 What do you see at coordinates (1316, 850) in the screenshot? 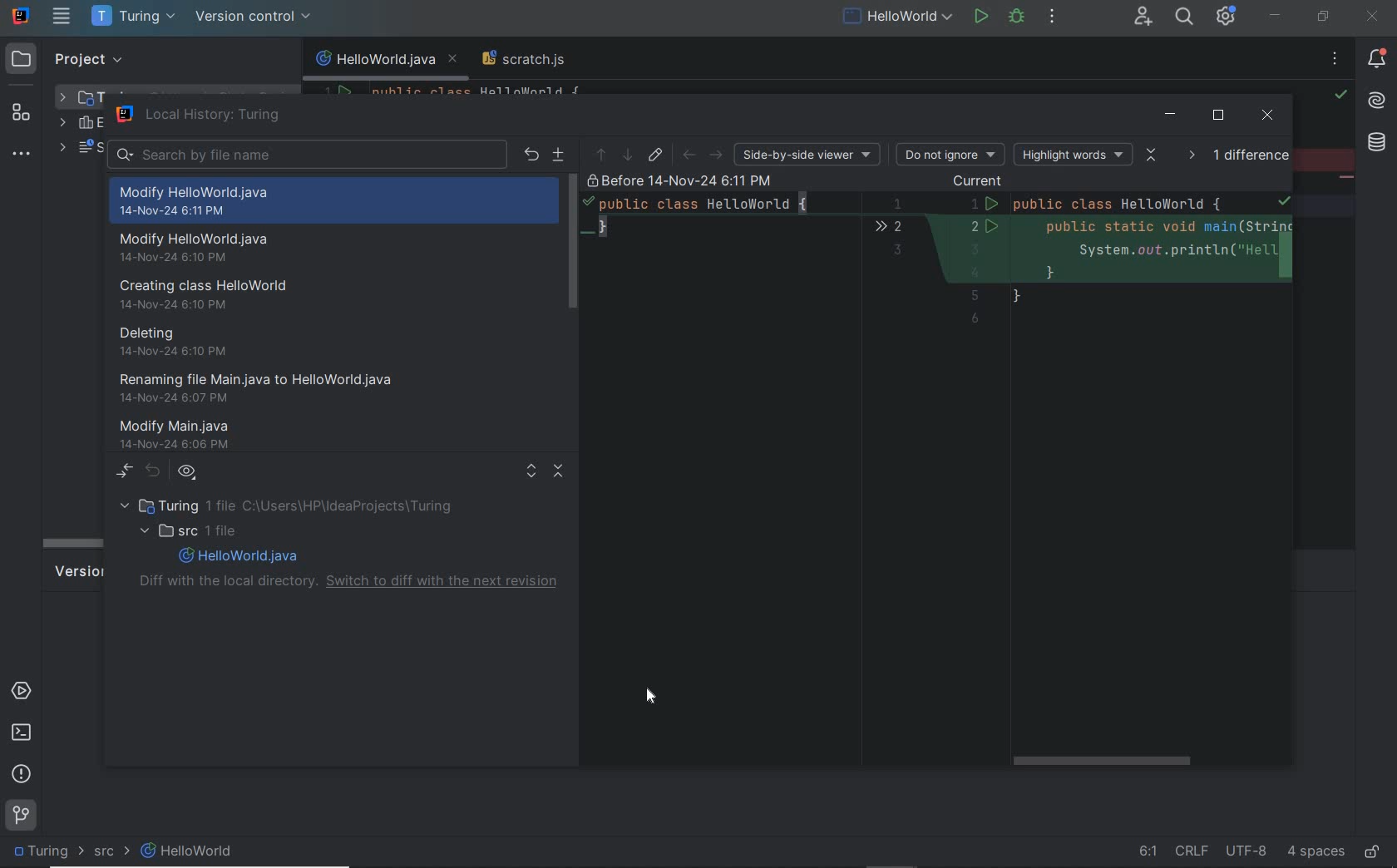
I see `indent` at bounding box center [1316, 850].